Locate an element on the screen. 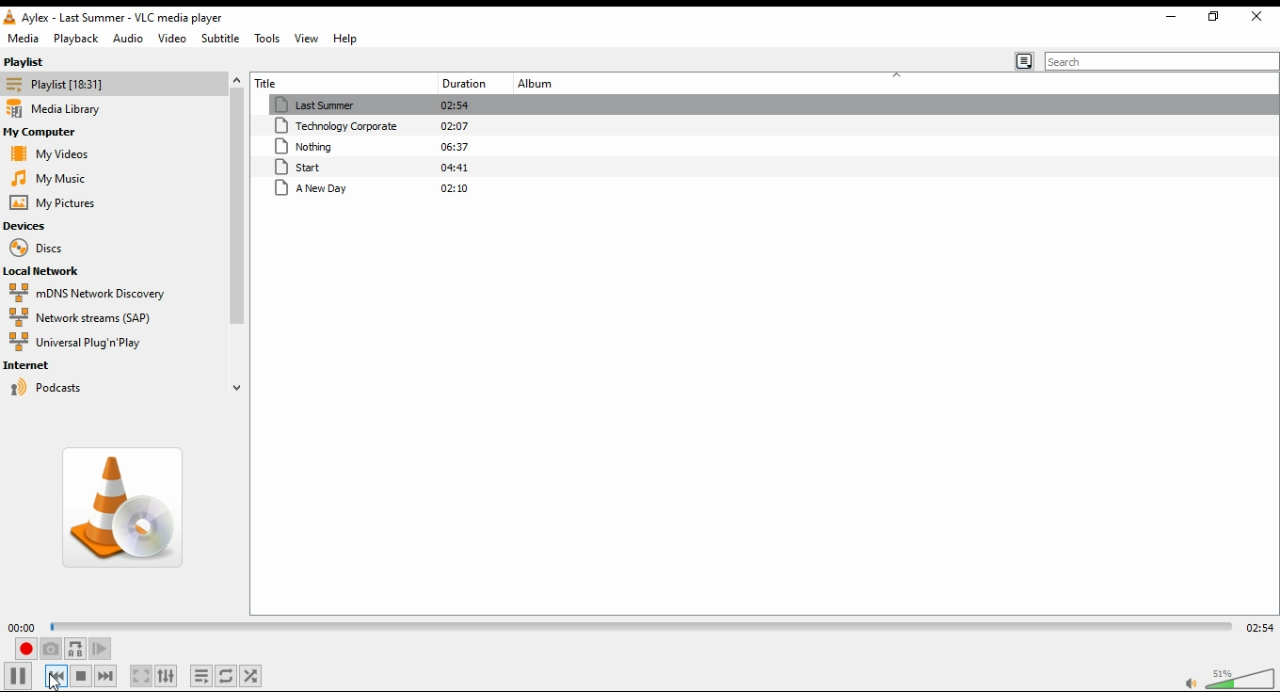 The height and width of the screenshot is (692, 1280). media is located at coordinates (22, 37).